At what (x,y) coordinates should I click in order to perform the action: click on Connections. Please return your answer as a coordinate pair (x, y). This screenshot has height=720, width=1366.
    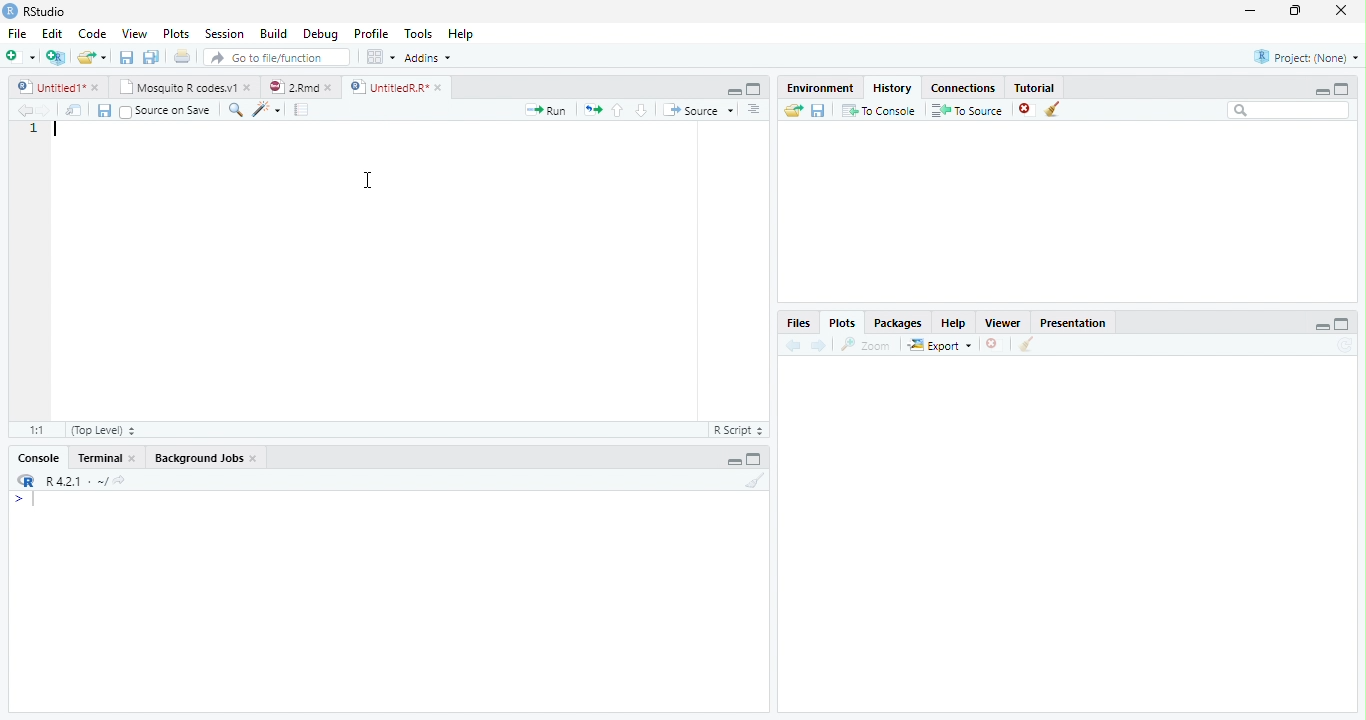
    Looking at the image, I should click on (964, 89).